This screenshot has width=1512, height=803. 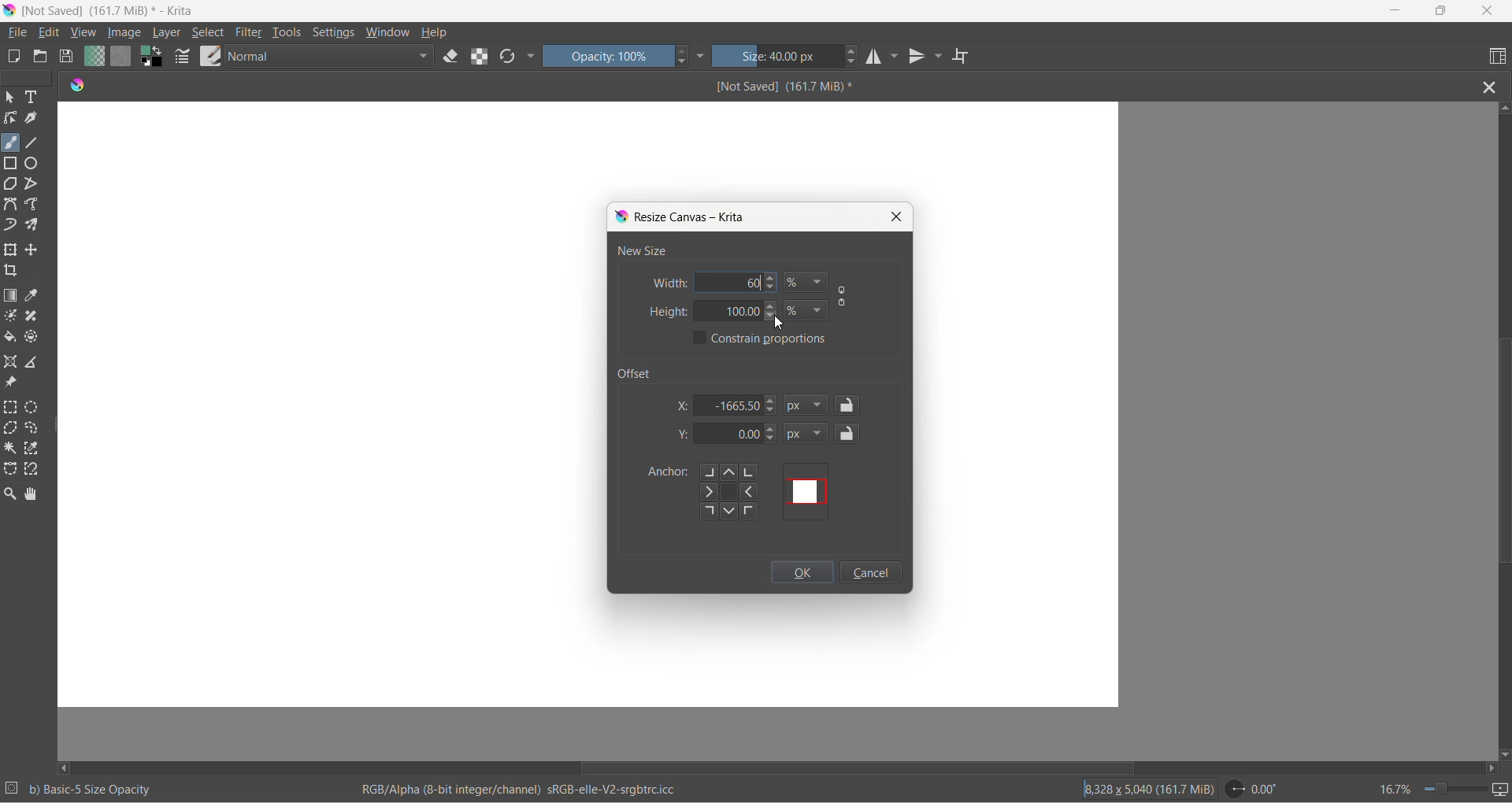 I want to click on lock offset x value, so click(x=848, y=405).